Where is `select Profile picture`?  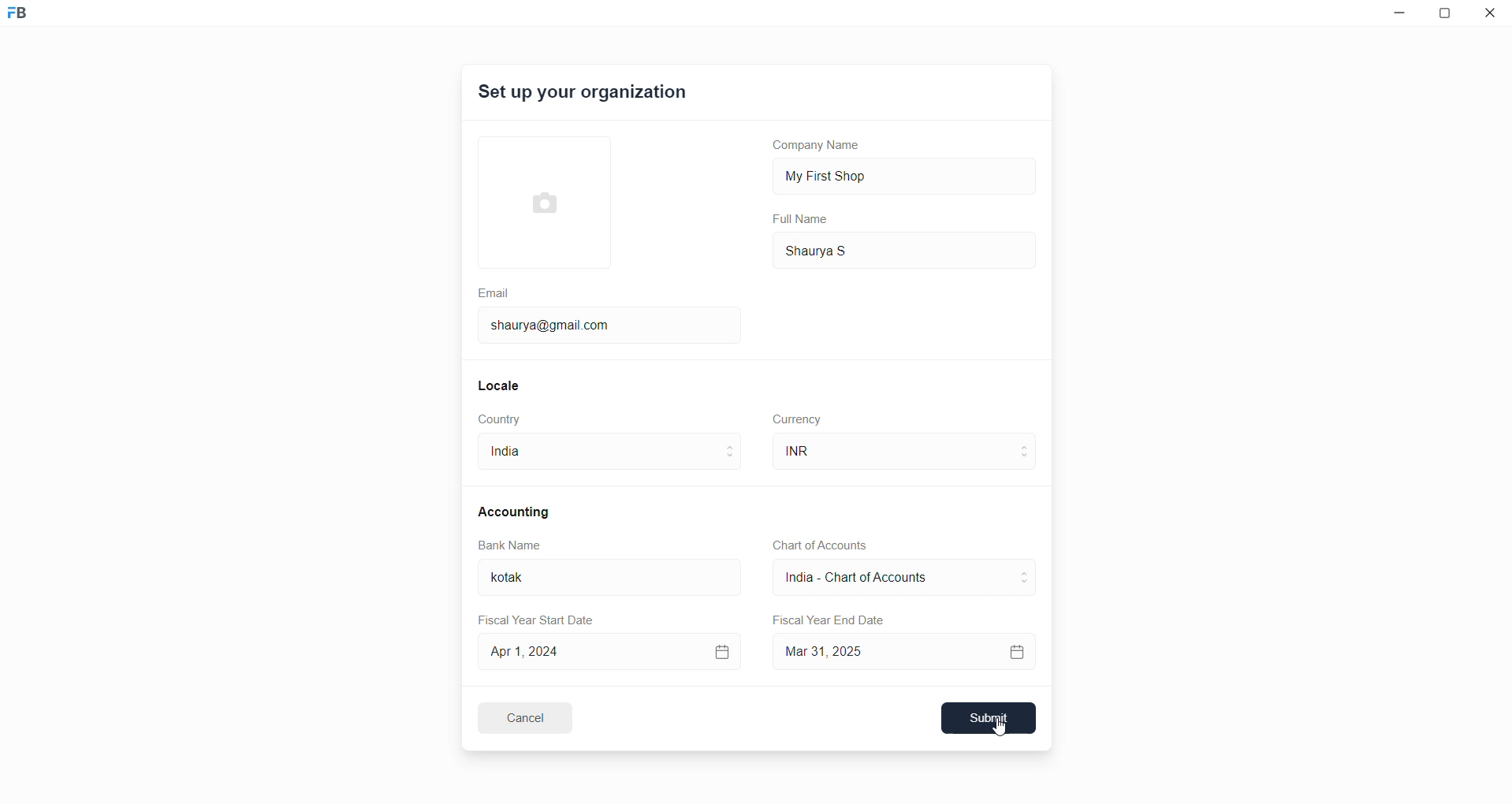
select Profile picture is located at coordinates (537, 200).